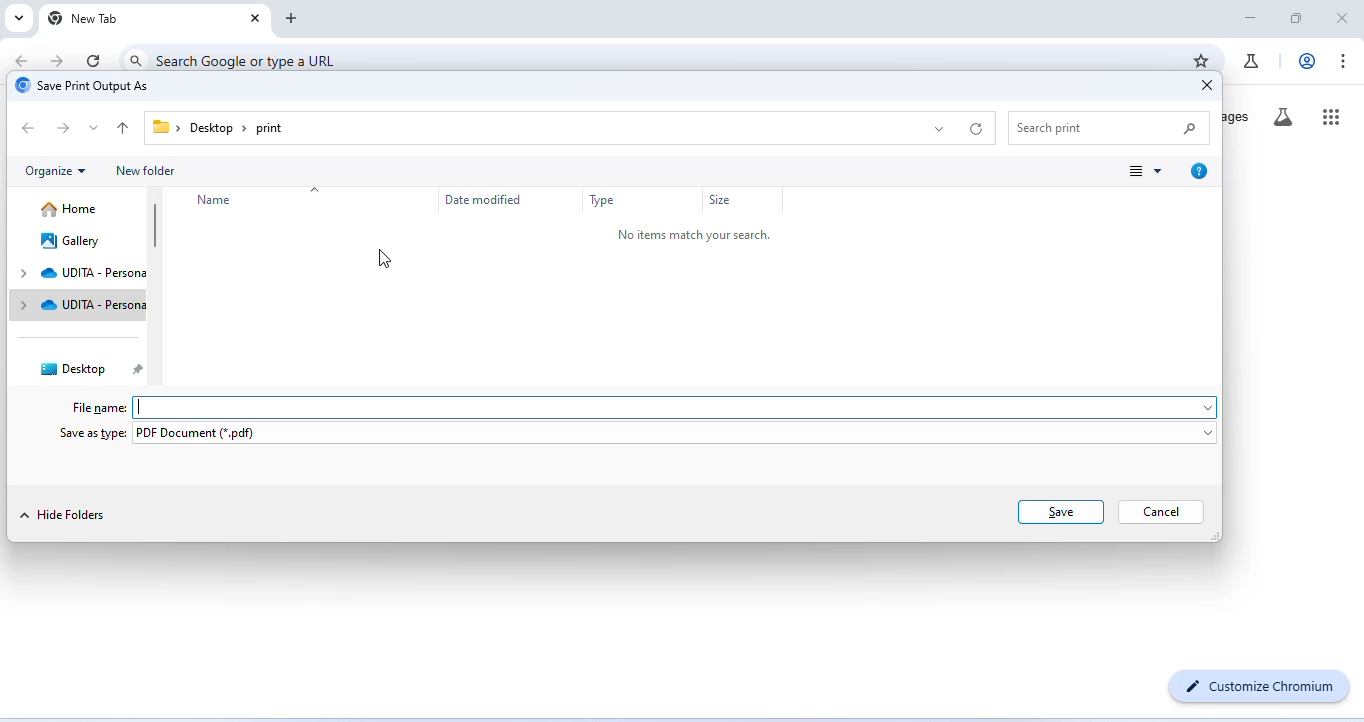 This screenshot has height=722, width=1364. Describe the element at coordinates (1263, 685) in the screenshot. I see `customize chromium` at that location.